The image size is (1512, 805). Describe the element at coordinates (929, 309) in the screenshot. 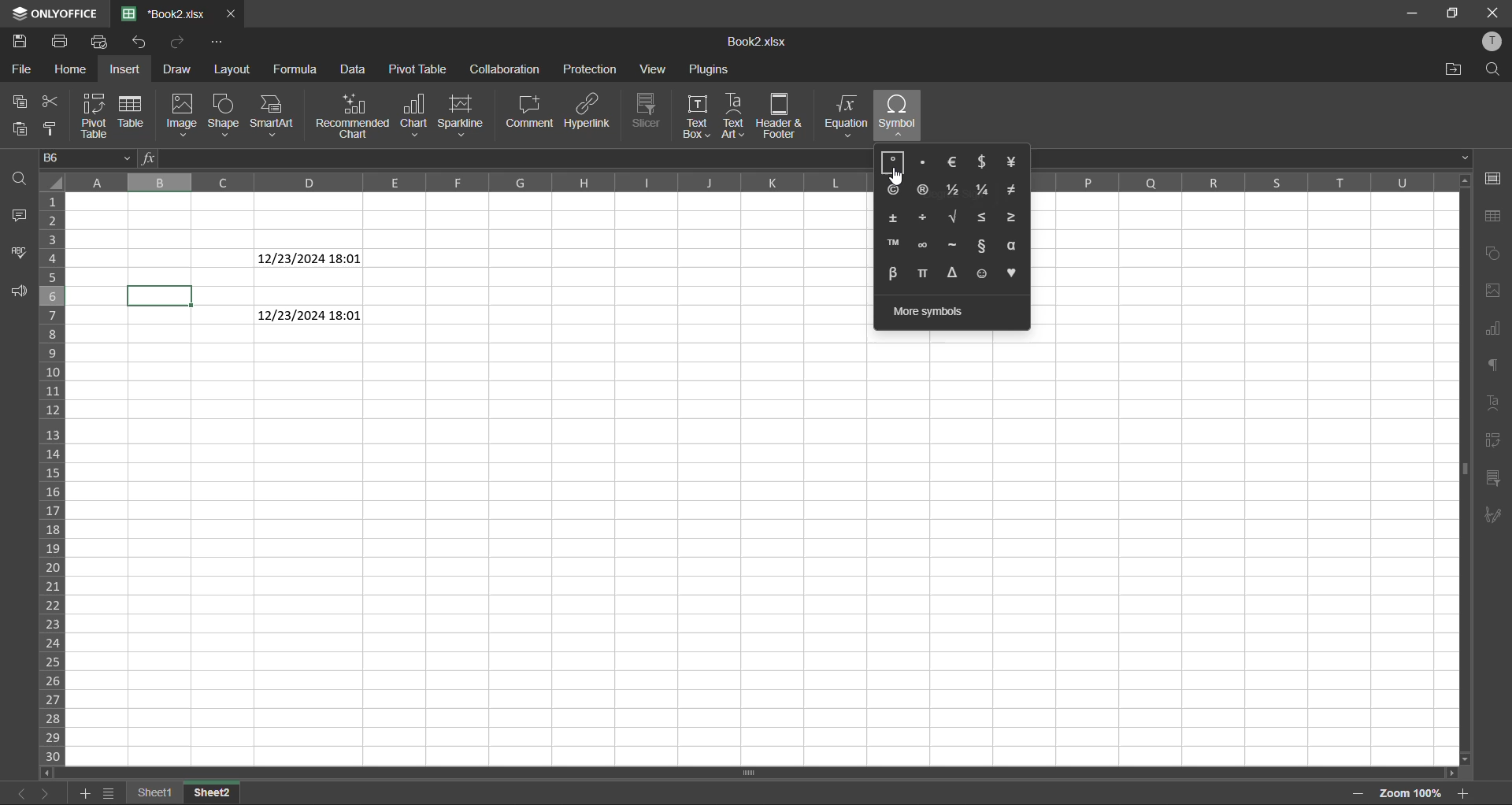

I see `more symbols` at that location.